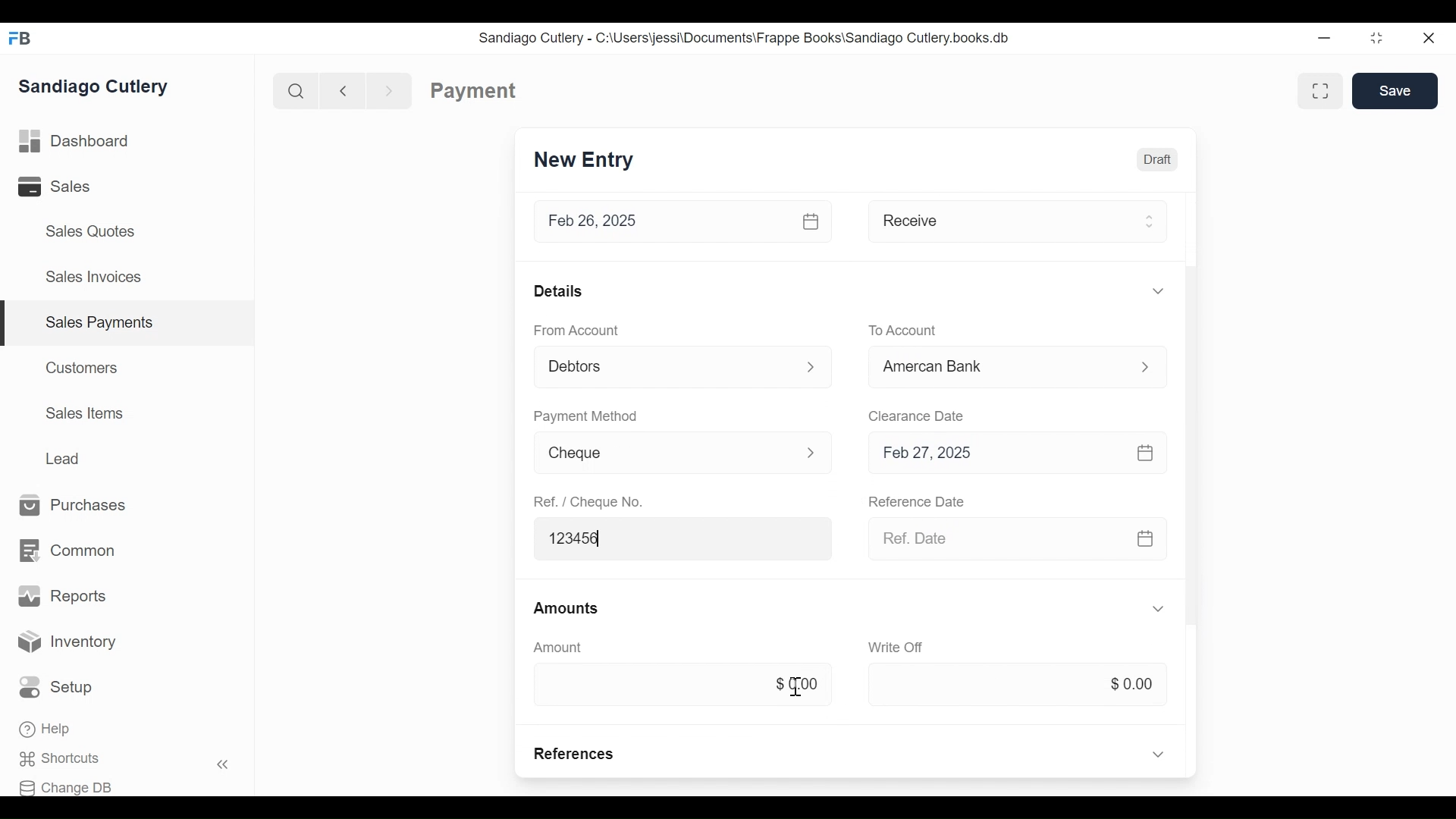  What do you see at coordinates (903, 329) in the screenshot?
I see `To Account` at bounding box center [903, 329].